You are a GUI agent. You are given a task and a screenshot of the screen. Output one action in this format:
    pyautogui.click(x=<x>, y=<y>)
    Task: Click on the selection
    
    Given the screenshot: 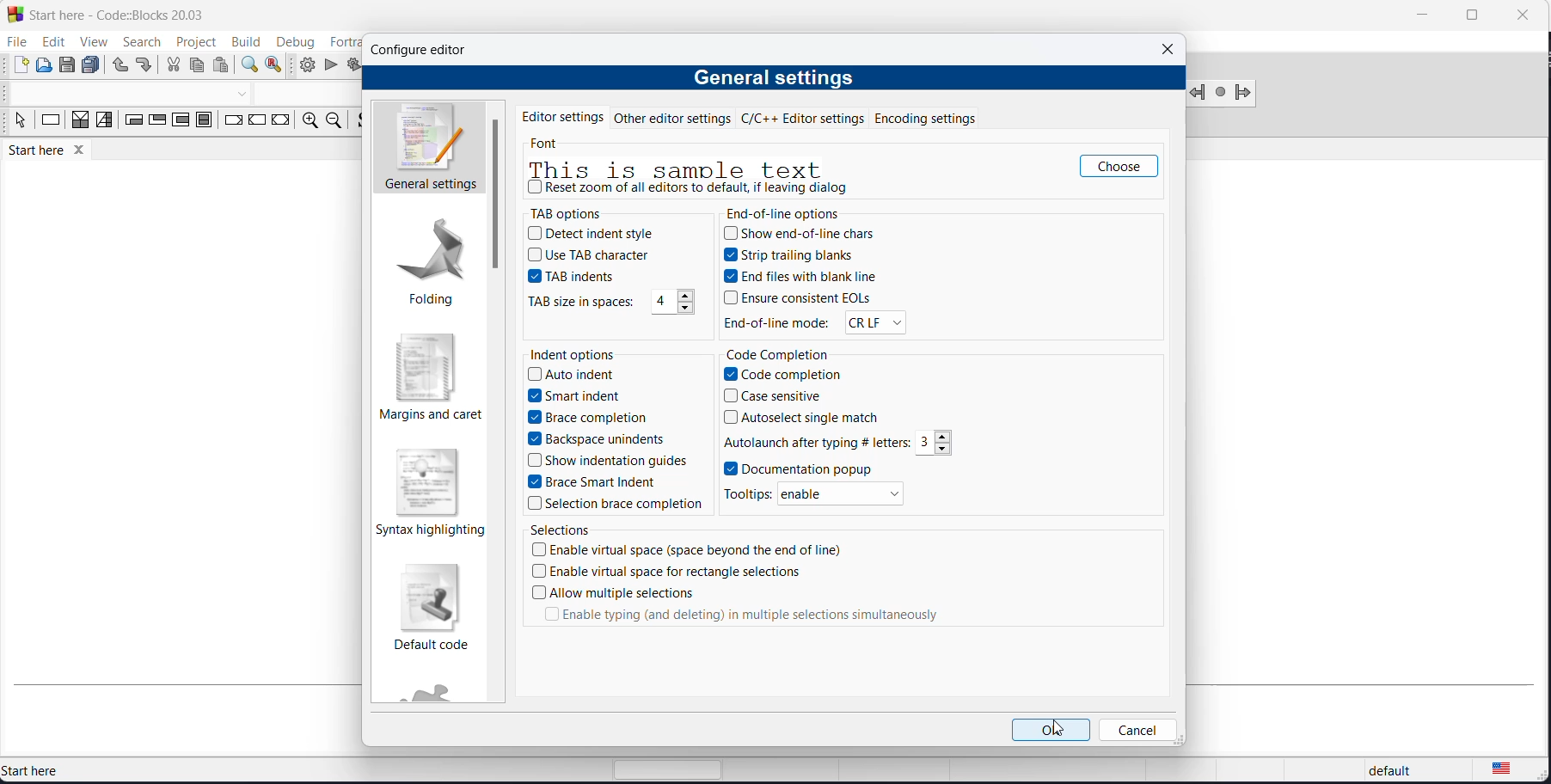 What is the action you would take?
    pyautogui.click(x=104, y=123)
    